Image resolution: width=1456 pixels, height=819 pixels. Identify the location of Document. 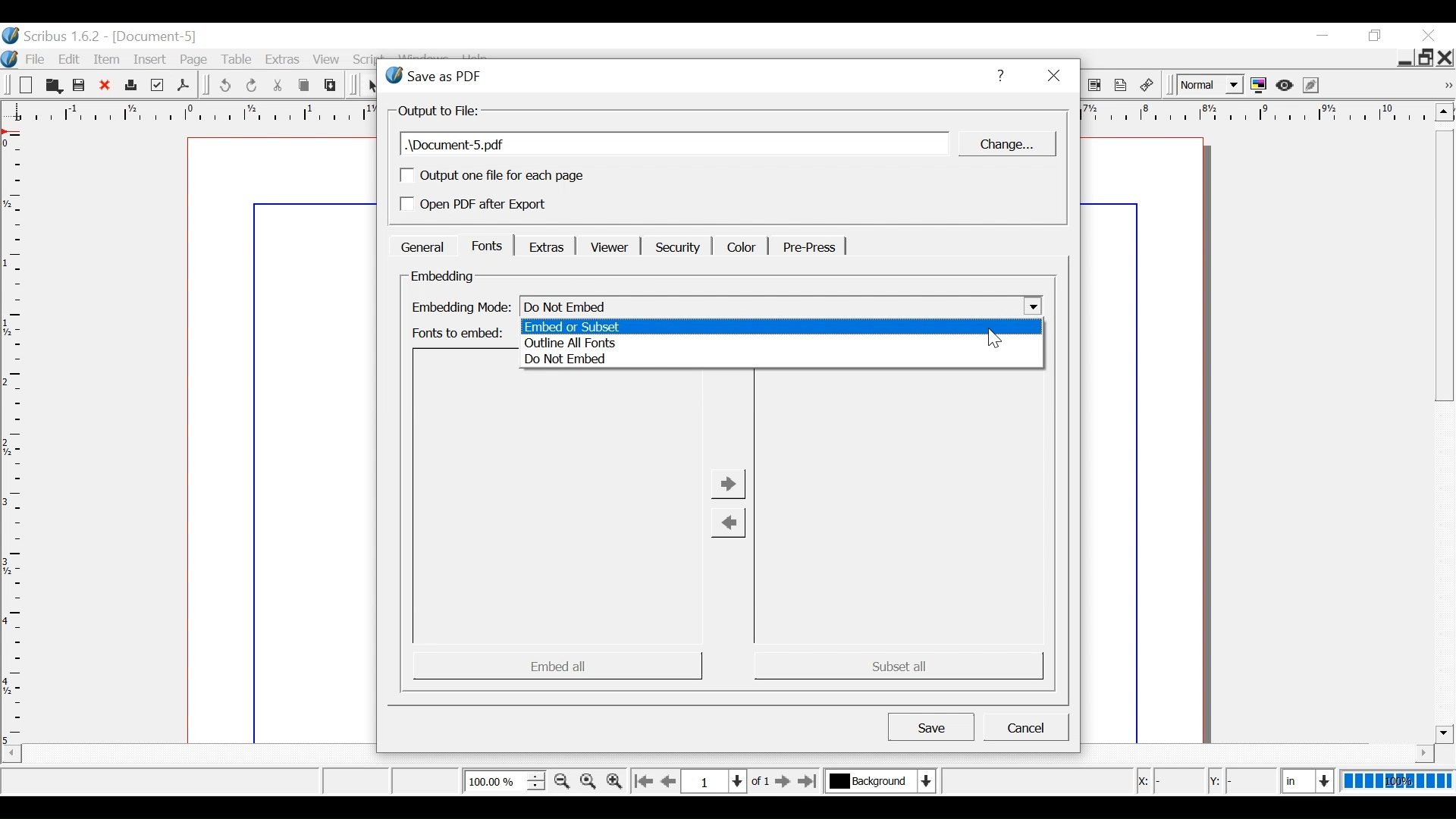
(277, 439).